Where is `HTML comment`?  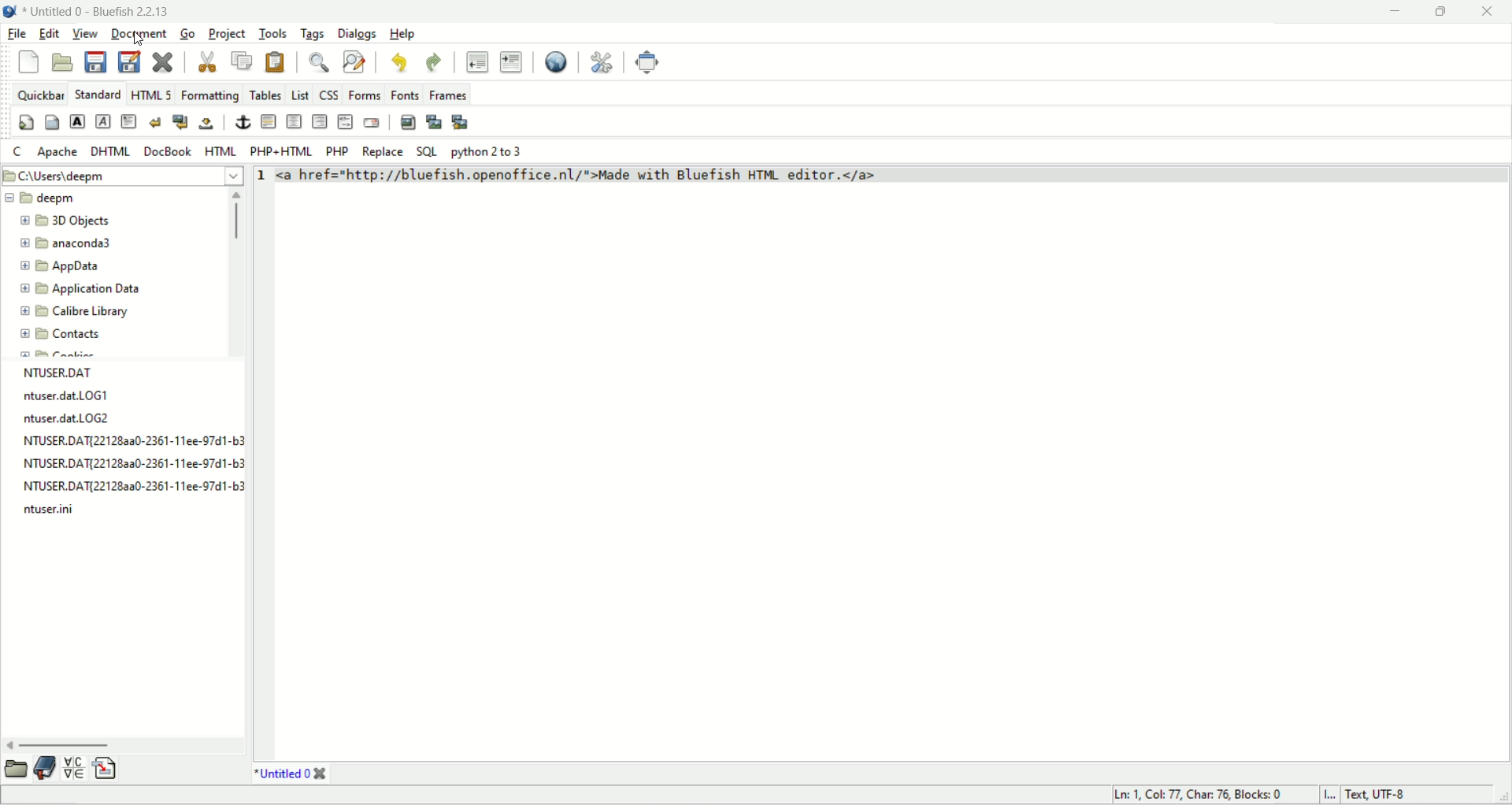 HTML comment is located at coordinates (344, 121).